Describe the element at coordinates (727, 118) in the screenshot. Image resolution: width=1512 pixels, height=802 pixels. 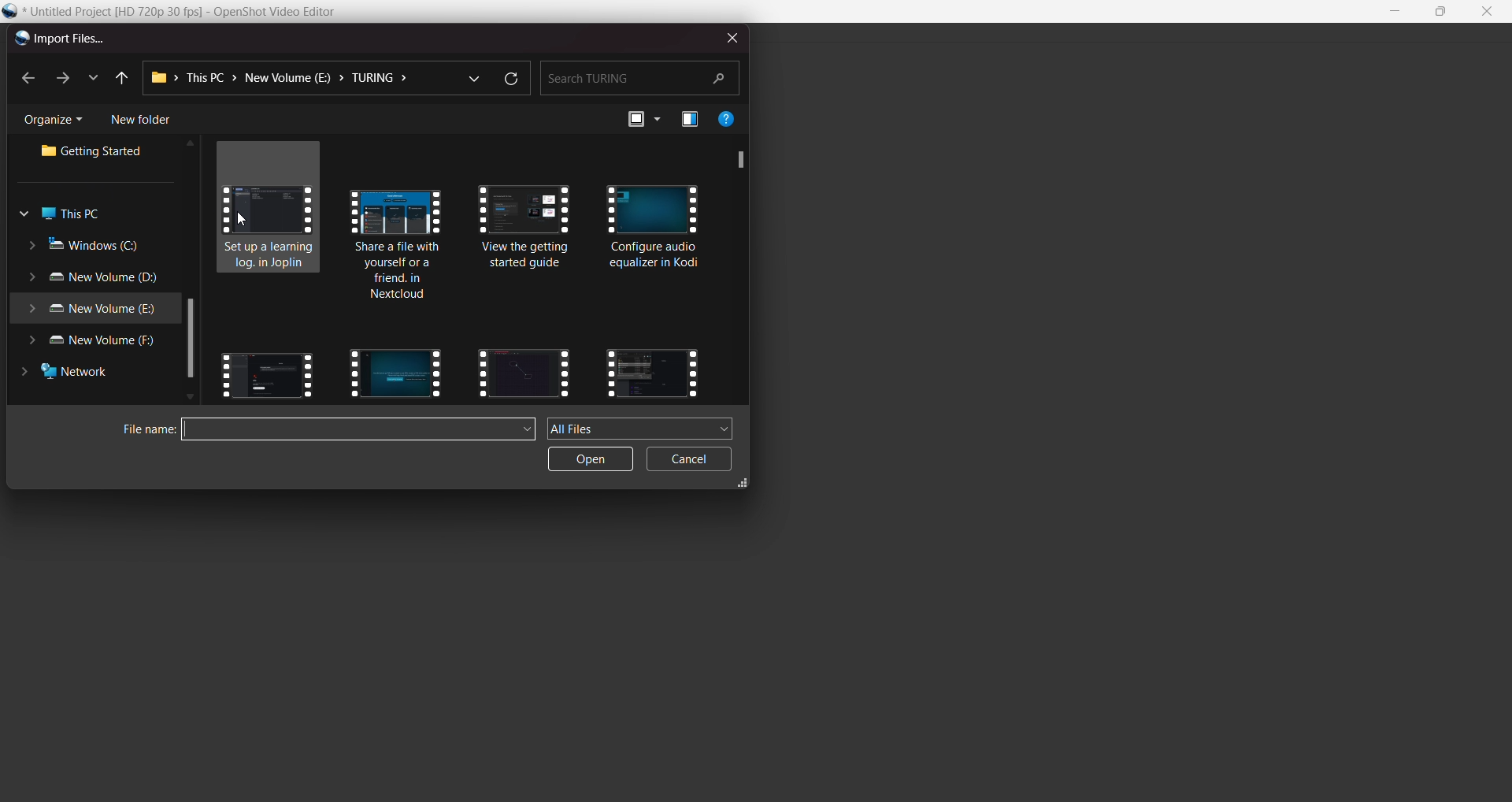
I see `help` at that location.